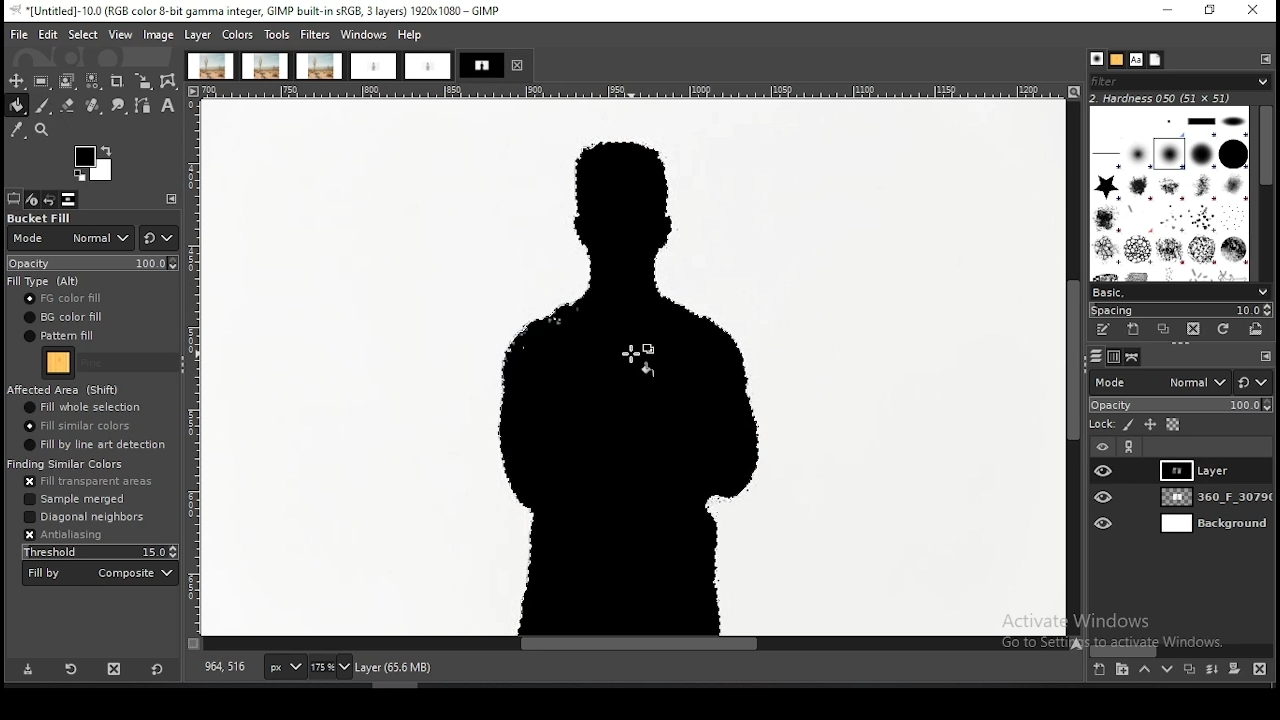  What do you see at coordinates (171, 200) in the screenshot?
I see `configure this tab` at bounding box center [171, 200].